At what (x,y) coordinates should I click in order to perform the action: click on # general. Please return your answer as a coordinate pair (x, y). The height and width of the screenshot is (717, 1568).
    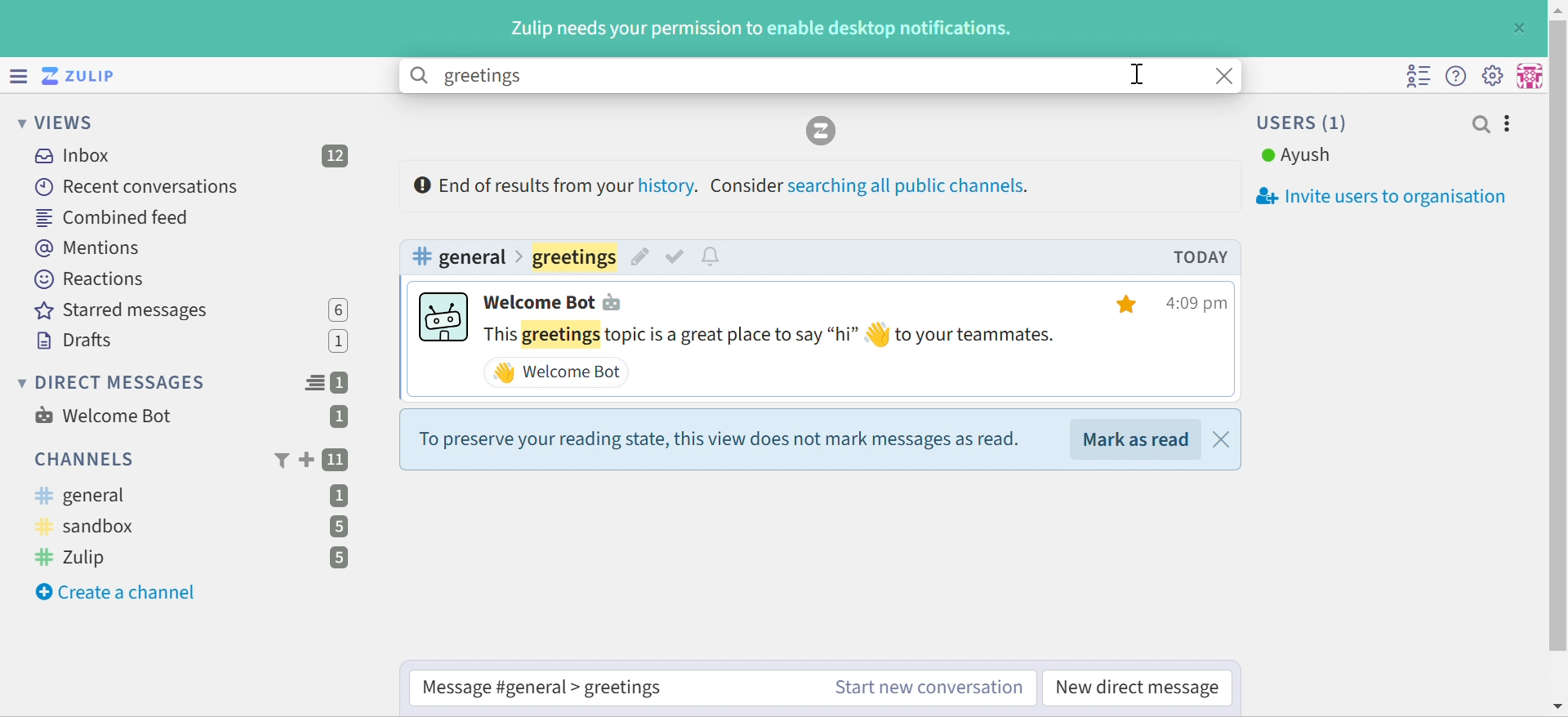
    Looking at the image, I should click on (459, 256).